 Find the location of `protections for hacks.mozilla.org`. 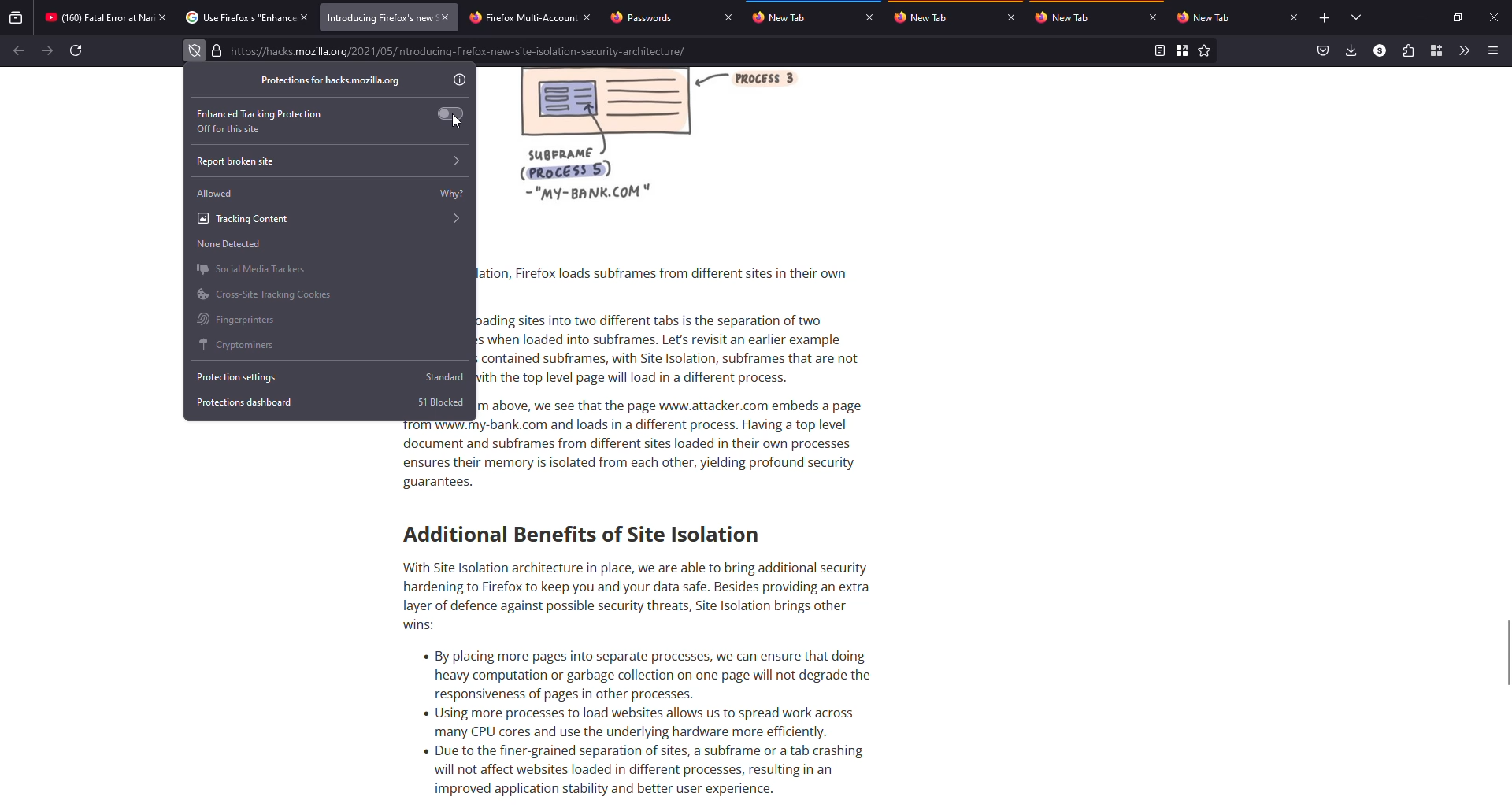

protections for hacks.mozilla.org is located at coordinates (329, 80).